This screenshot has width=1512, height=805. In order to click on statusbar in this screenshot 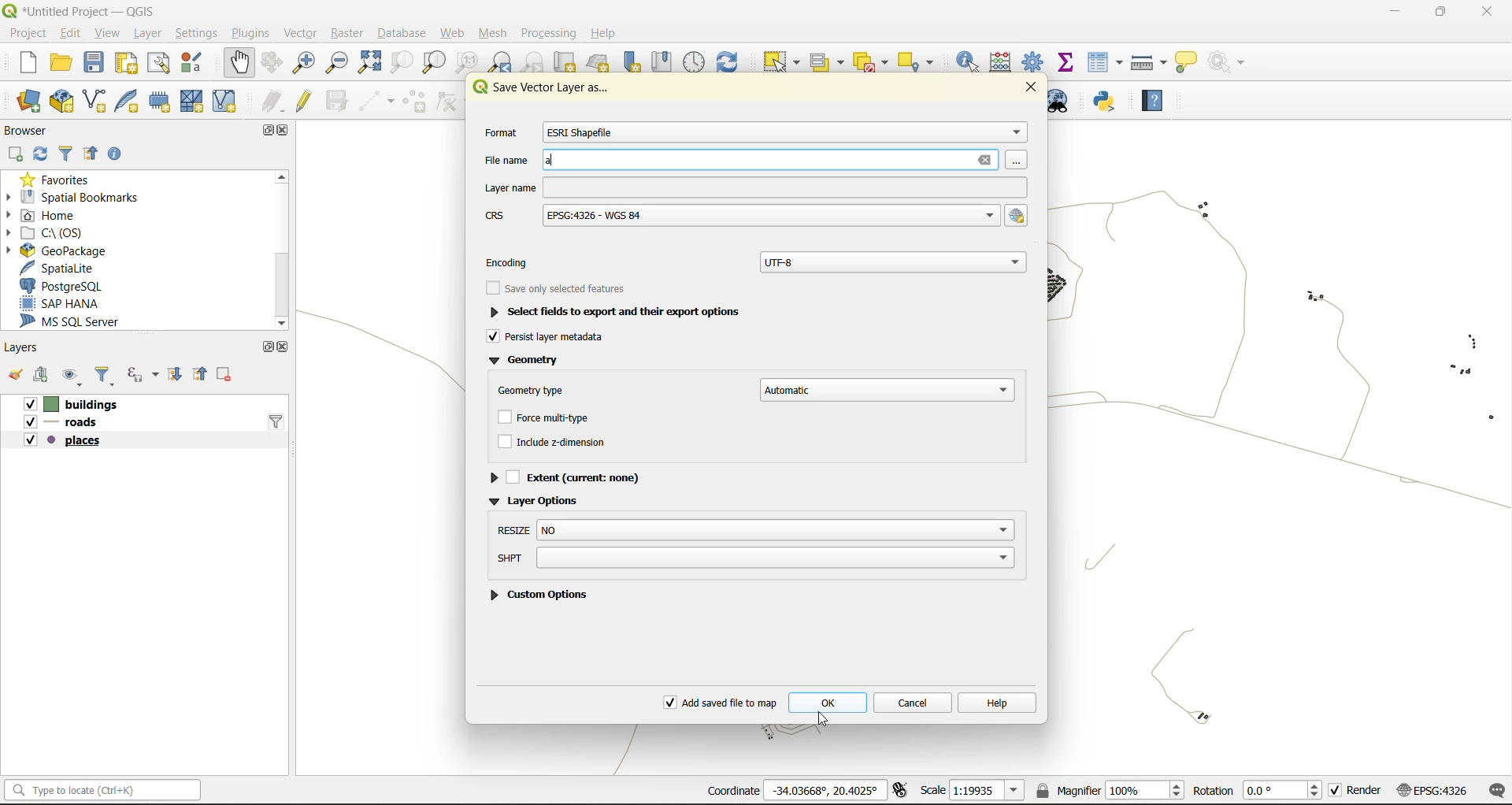, I will do `click(107, 789)`.